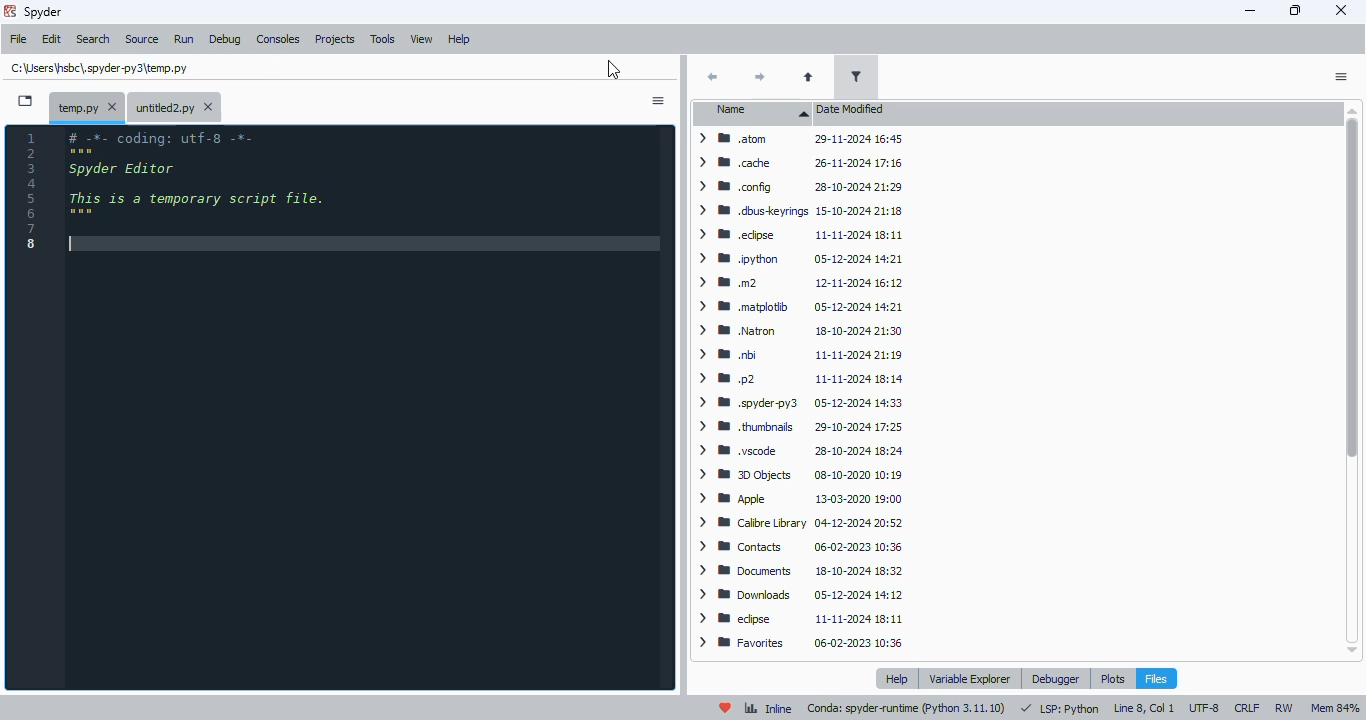 This screenshot has height=720, width=1366. I want to click on > WB thumbnails 29-10-2024 17:25, so click(798, 425).